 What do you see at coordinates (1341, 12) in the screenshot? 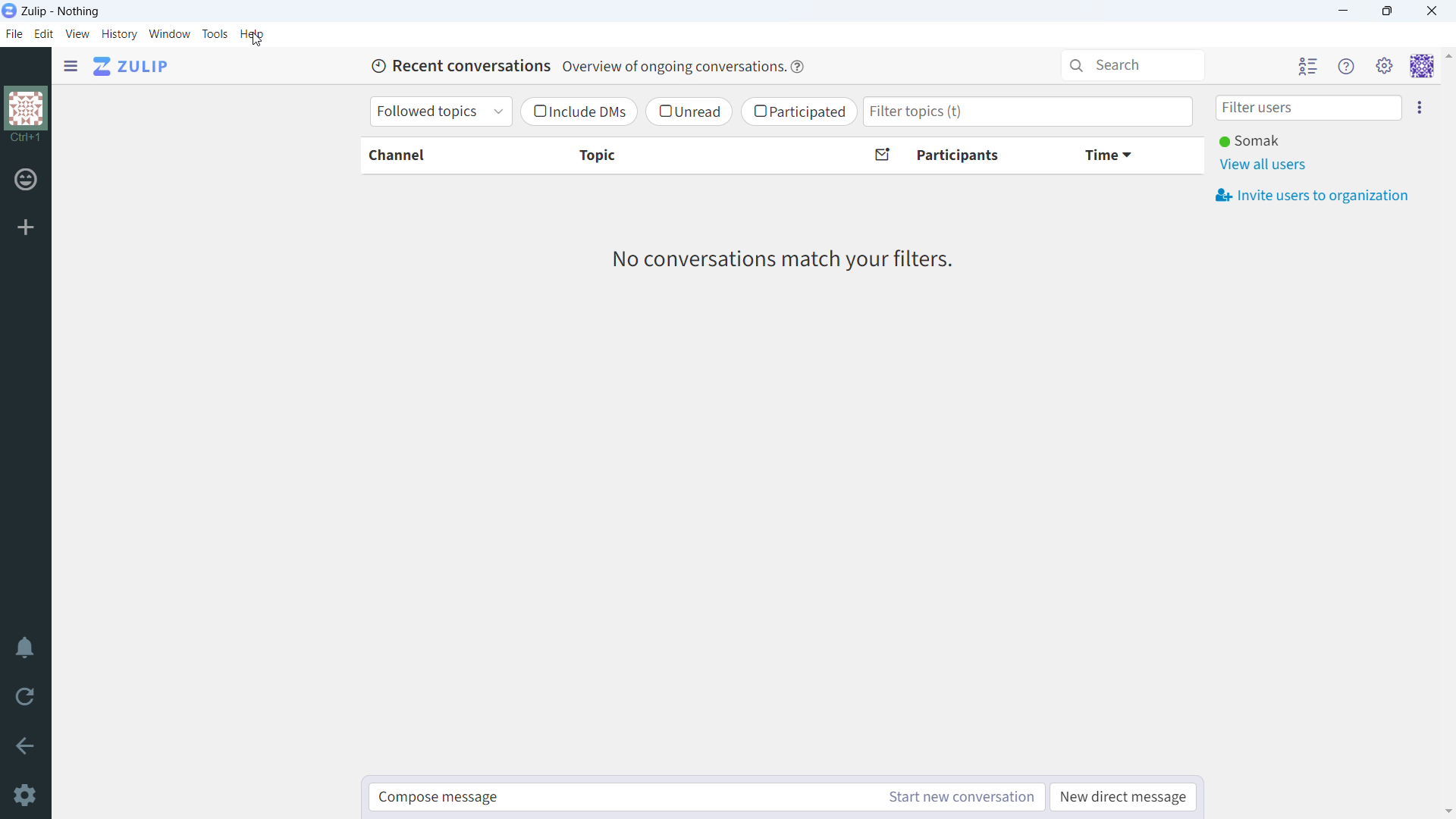
I see `minimize` at bounding box center [1341, 12].